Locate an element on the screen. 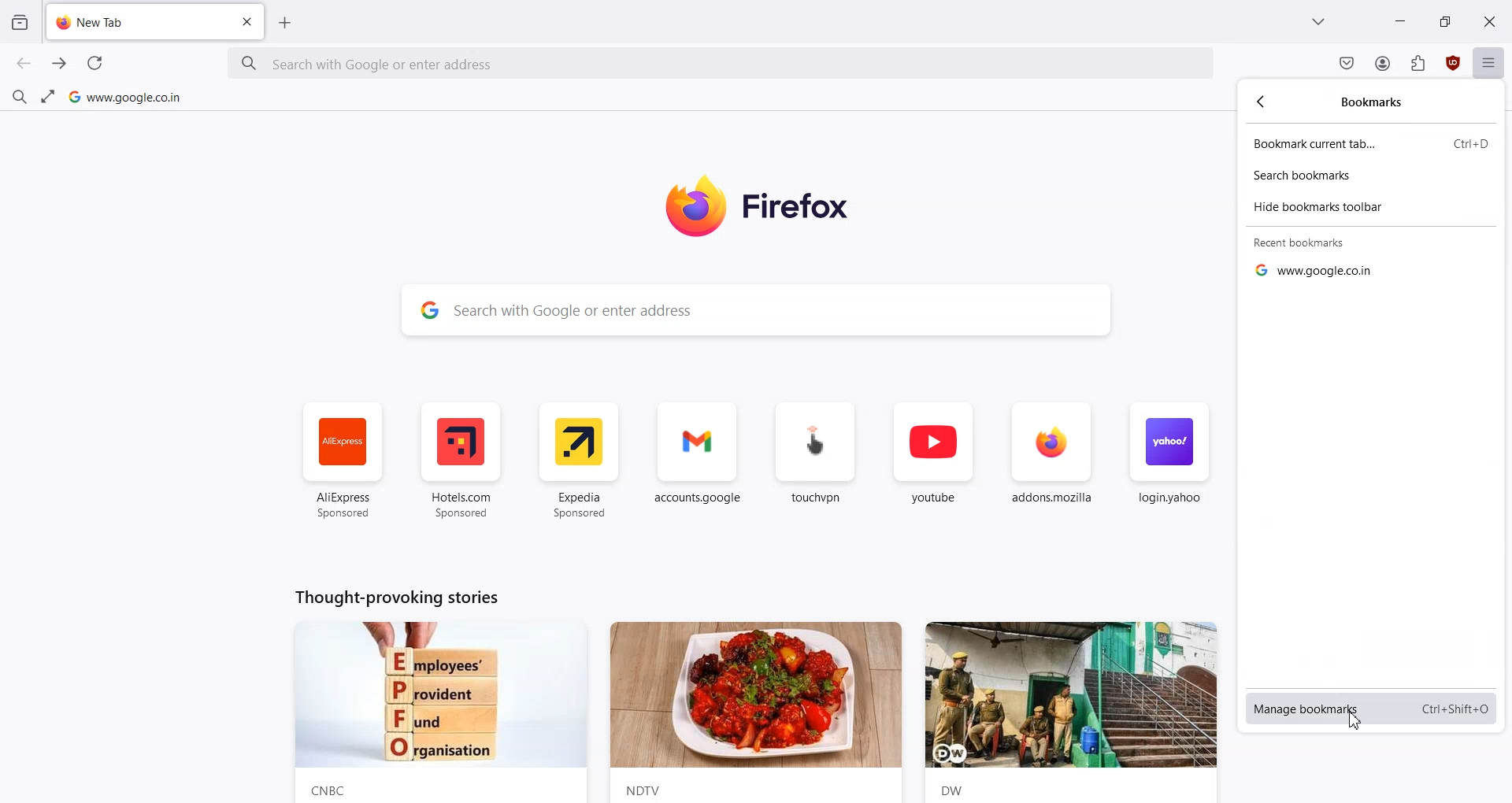 The height and width of the screenshot is (803, 1512). uBlock Origin is located at coordinates (1452, 63).